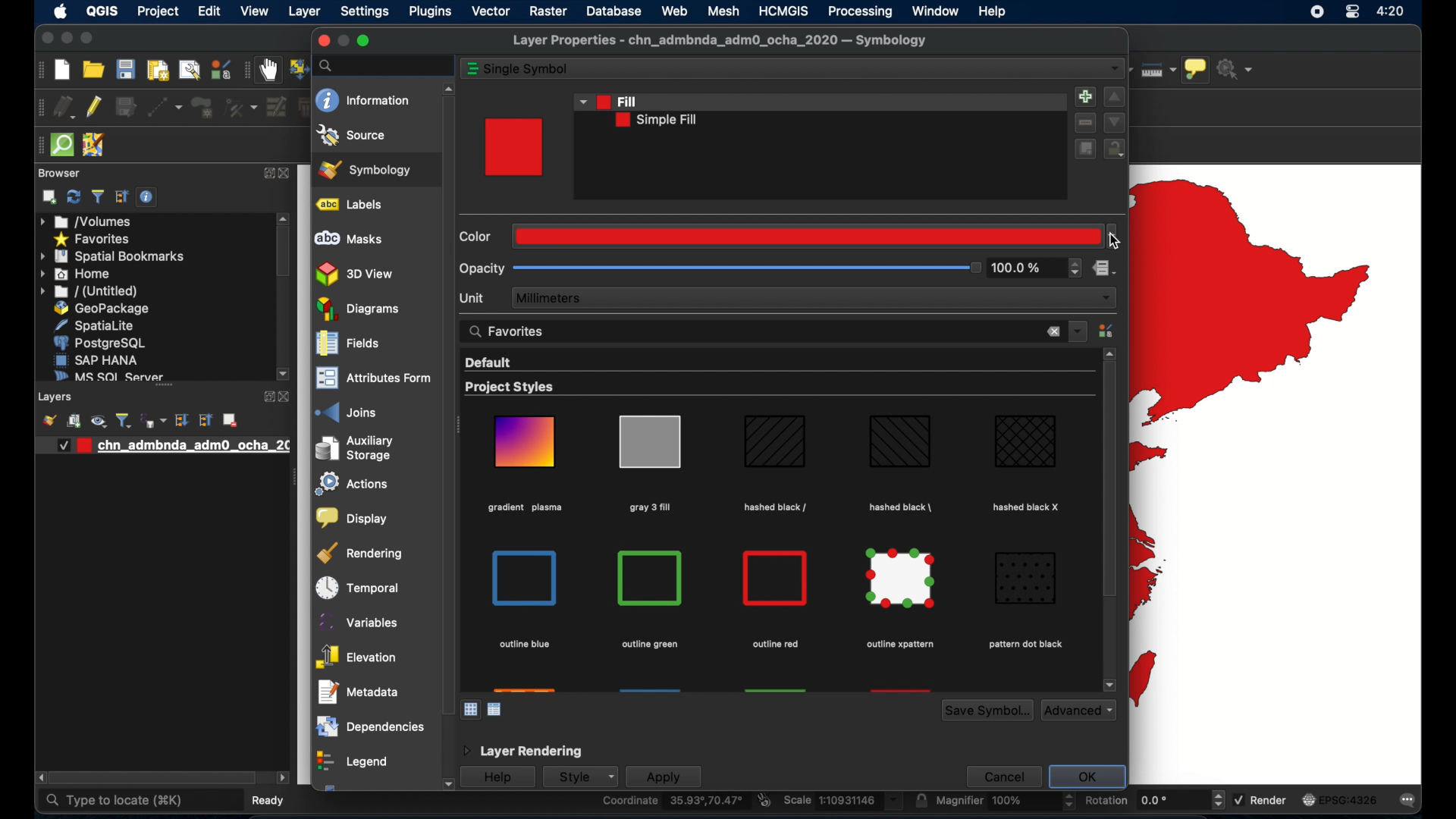  What do you see at coordinates (351, 763) in the screenshot?
I see `legend` at bounding box center [351, 763].